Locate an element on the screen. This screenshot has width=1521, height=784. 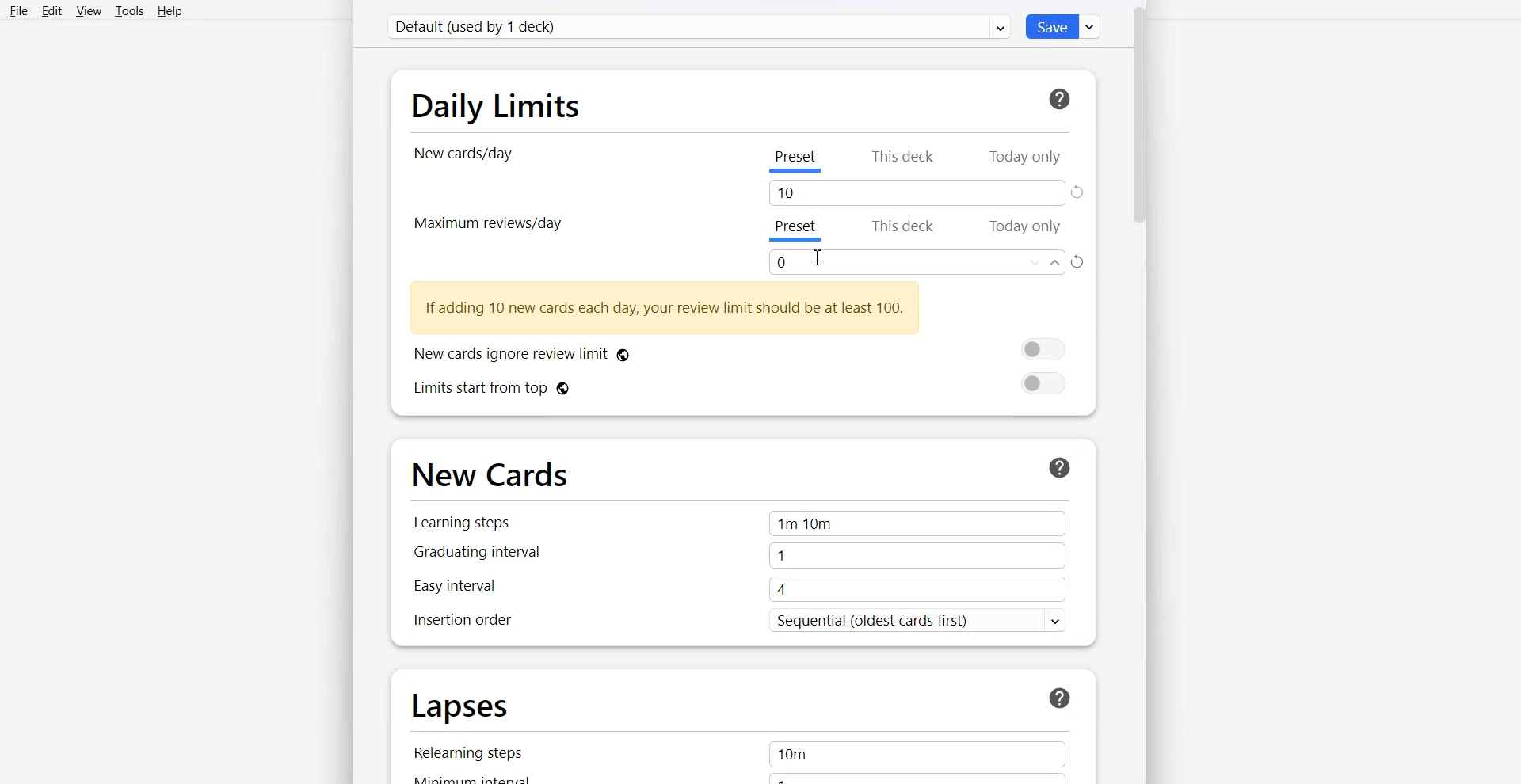
Save is located at coordinates (1065, 26).